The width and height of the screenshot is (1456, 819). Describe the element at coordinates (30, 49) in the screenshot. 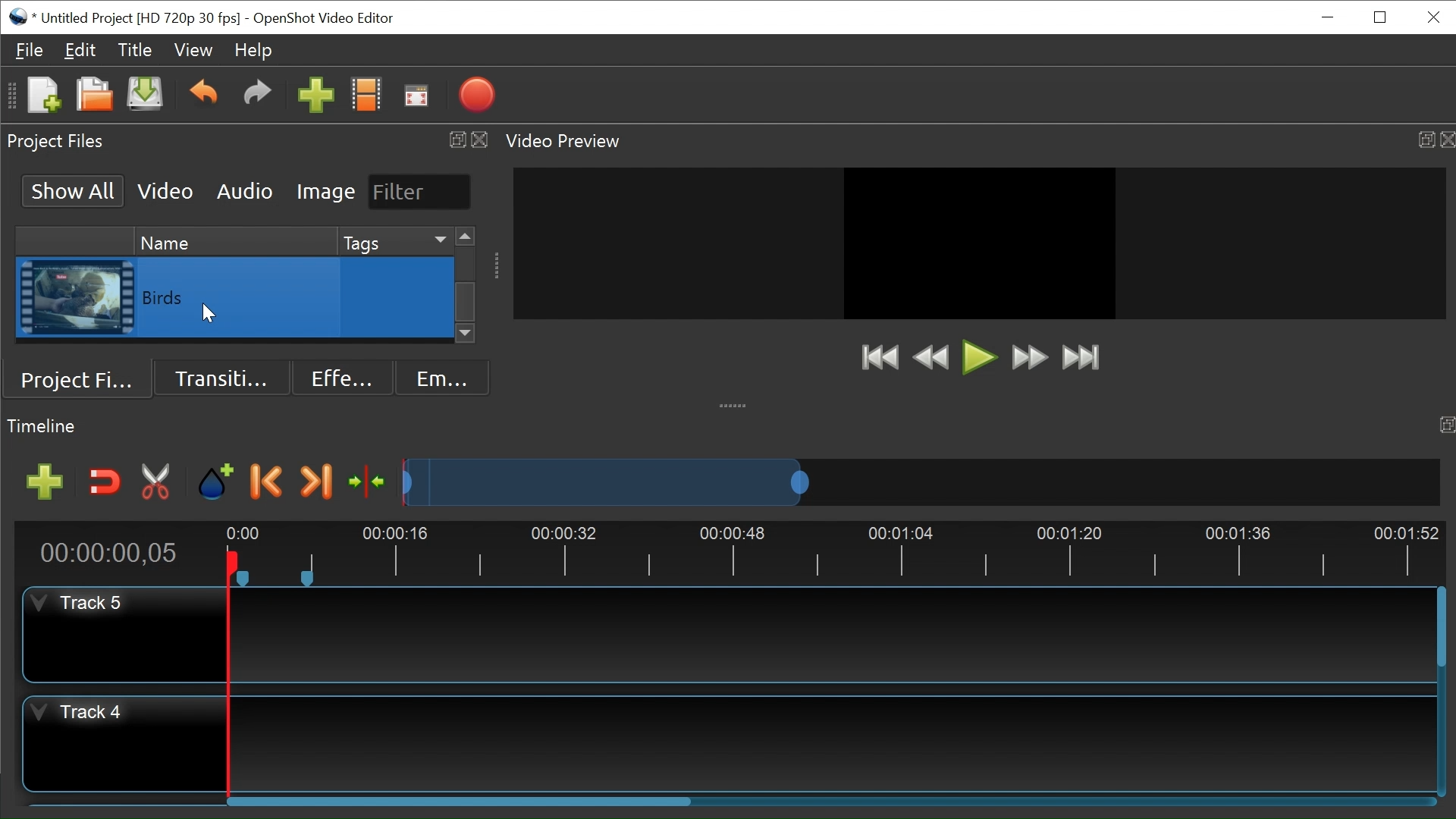

I see `Files` at that location.